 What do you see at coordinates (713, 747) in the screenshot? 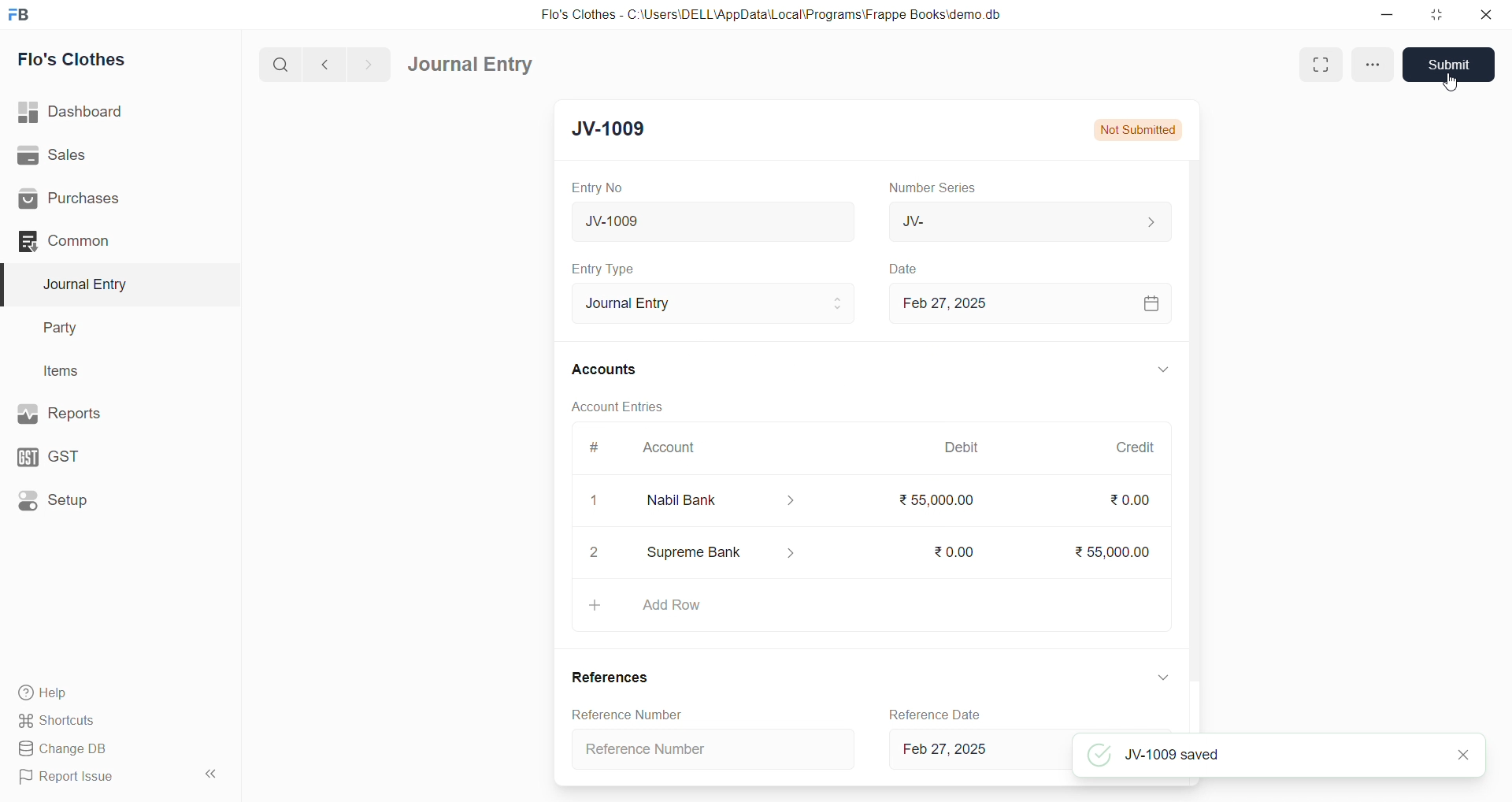
I see `Reference Number` at bounding box center [713, 747].